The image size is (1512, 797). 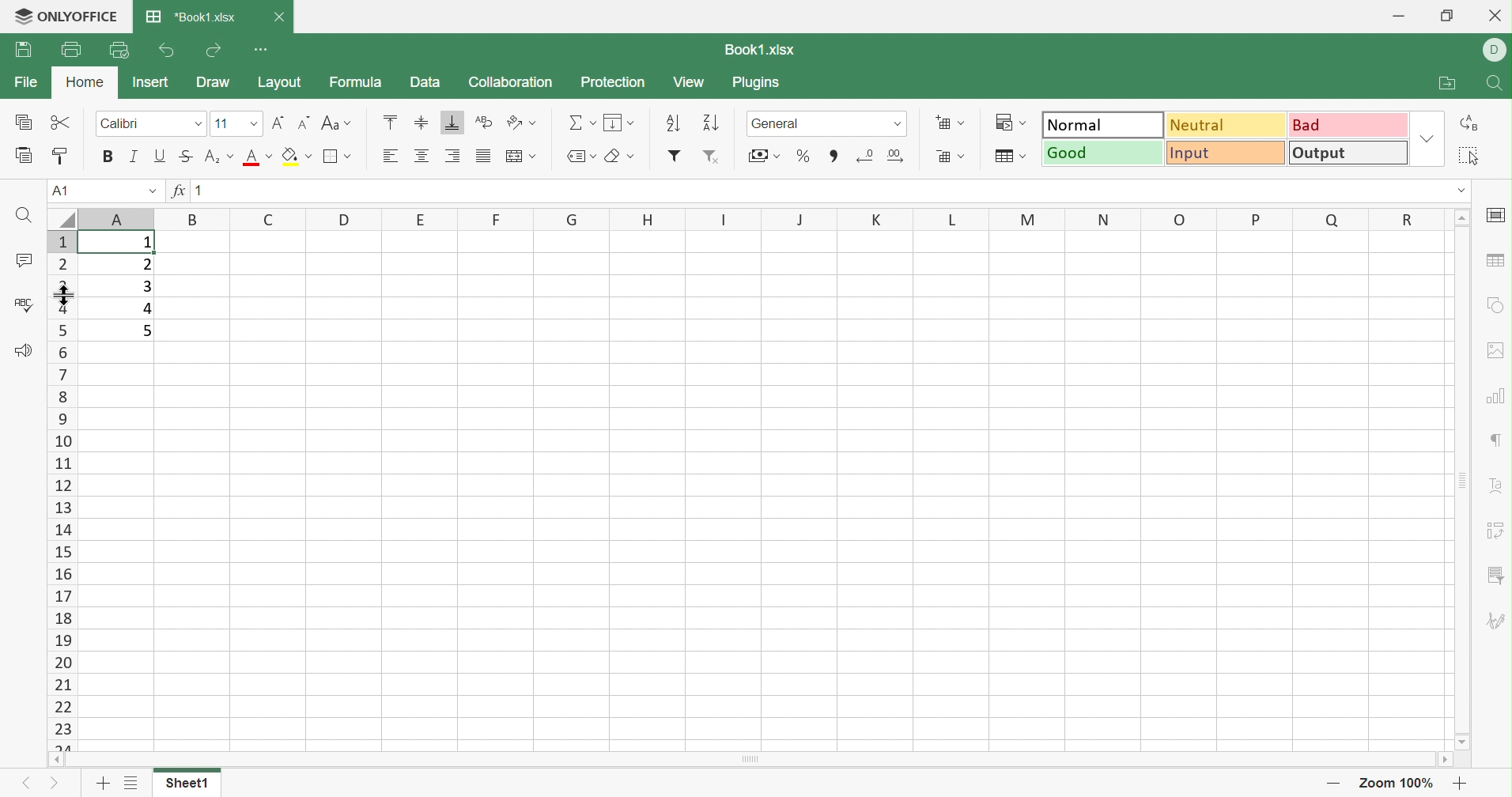 What do you see at coordinates (255, 123) in the screenshot?
I see `Drop Down` at bounding box center [255, 123].